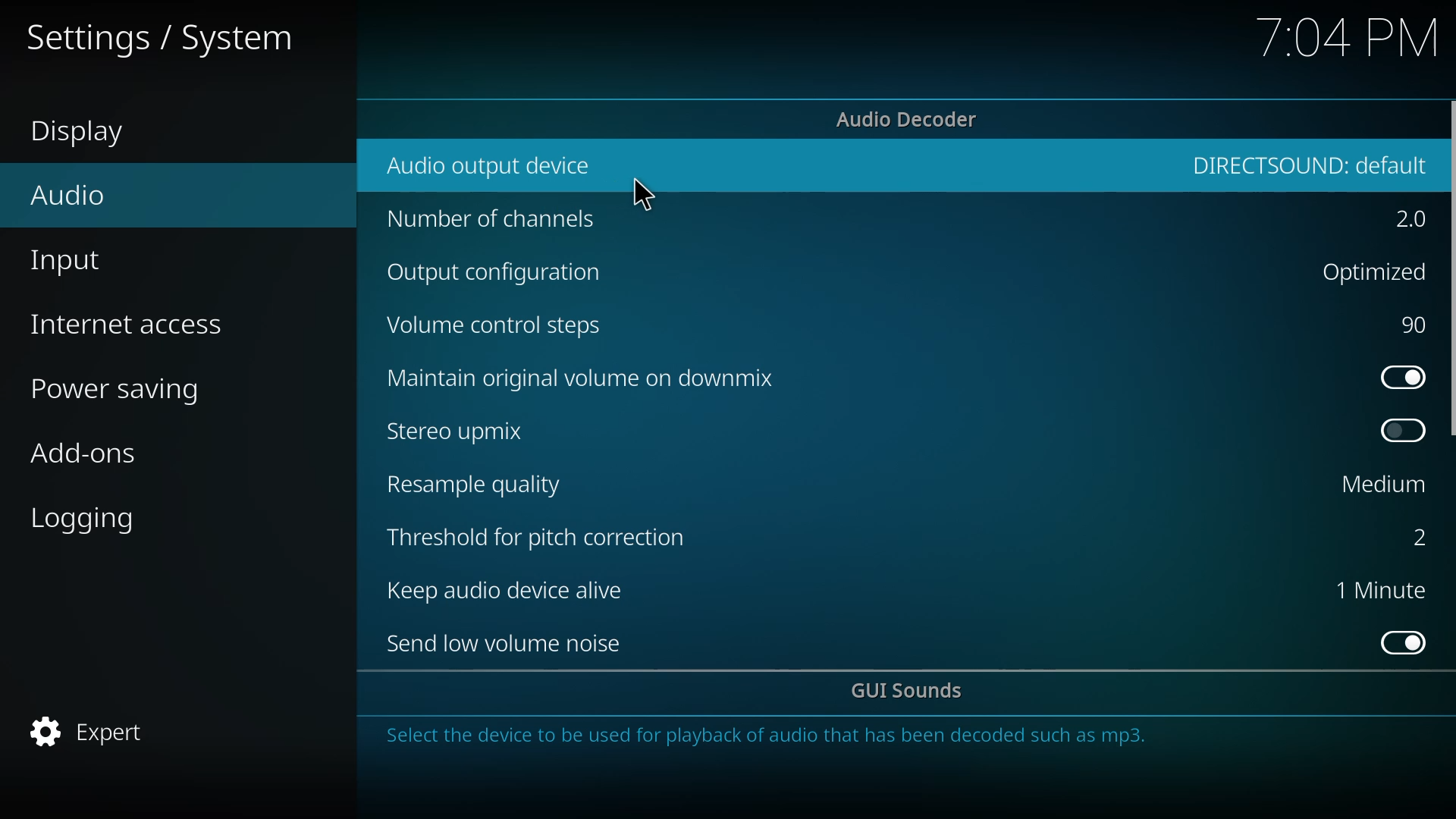 The height and width of the screenshot is (819, 1456). Describe the element at coordinates (1409, 537) in the screenshot. I see `2` at that location.